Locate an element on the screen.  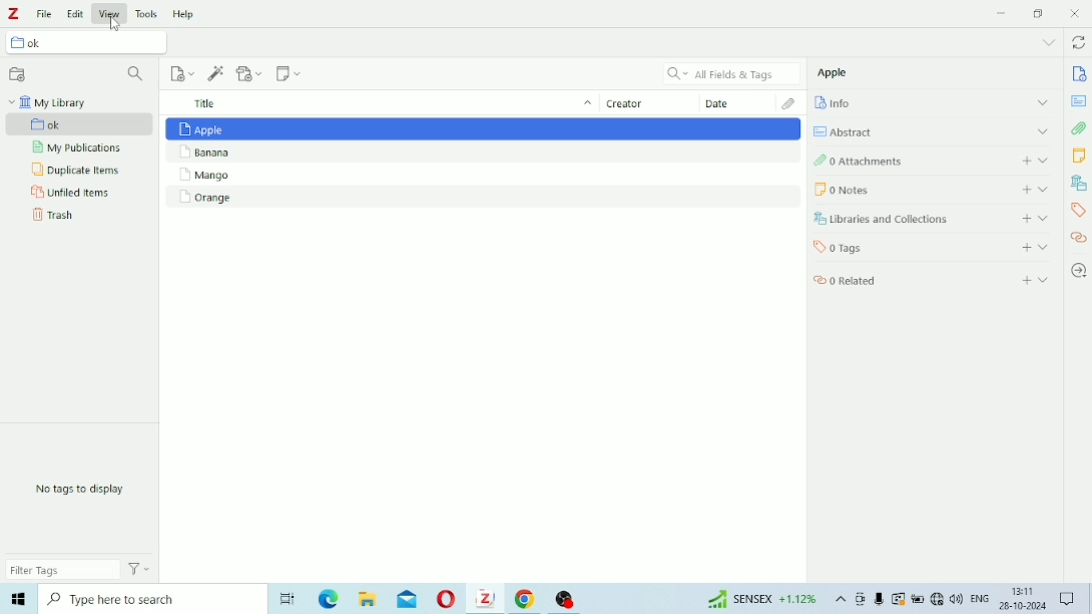
ok is located at coordinates (46, 44).